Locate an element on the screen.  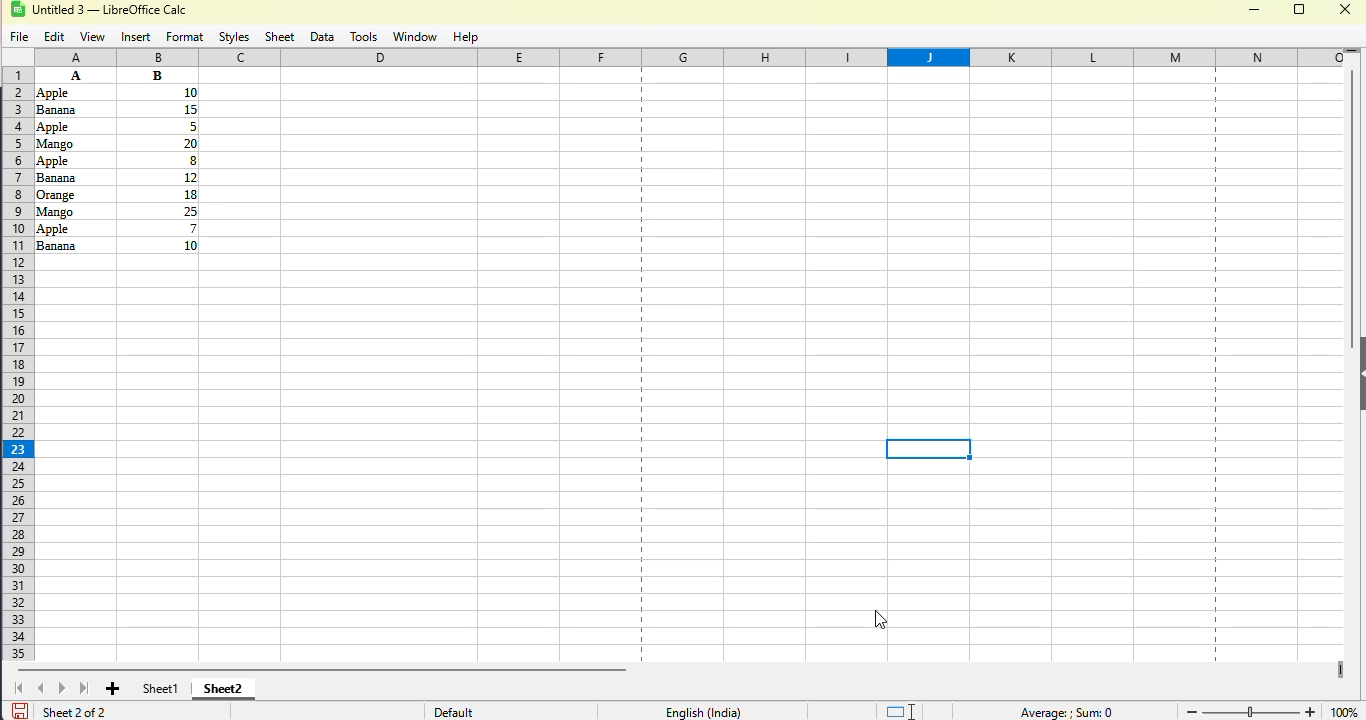
click to save document is located at coordinates (19, 710).